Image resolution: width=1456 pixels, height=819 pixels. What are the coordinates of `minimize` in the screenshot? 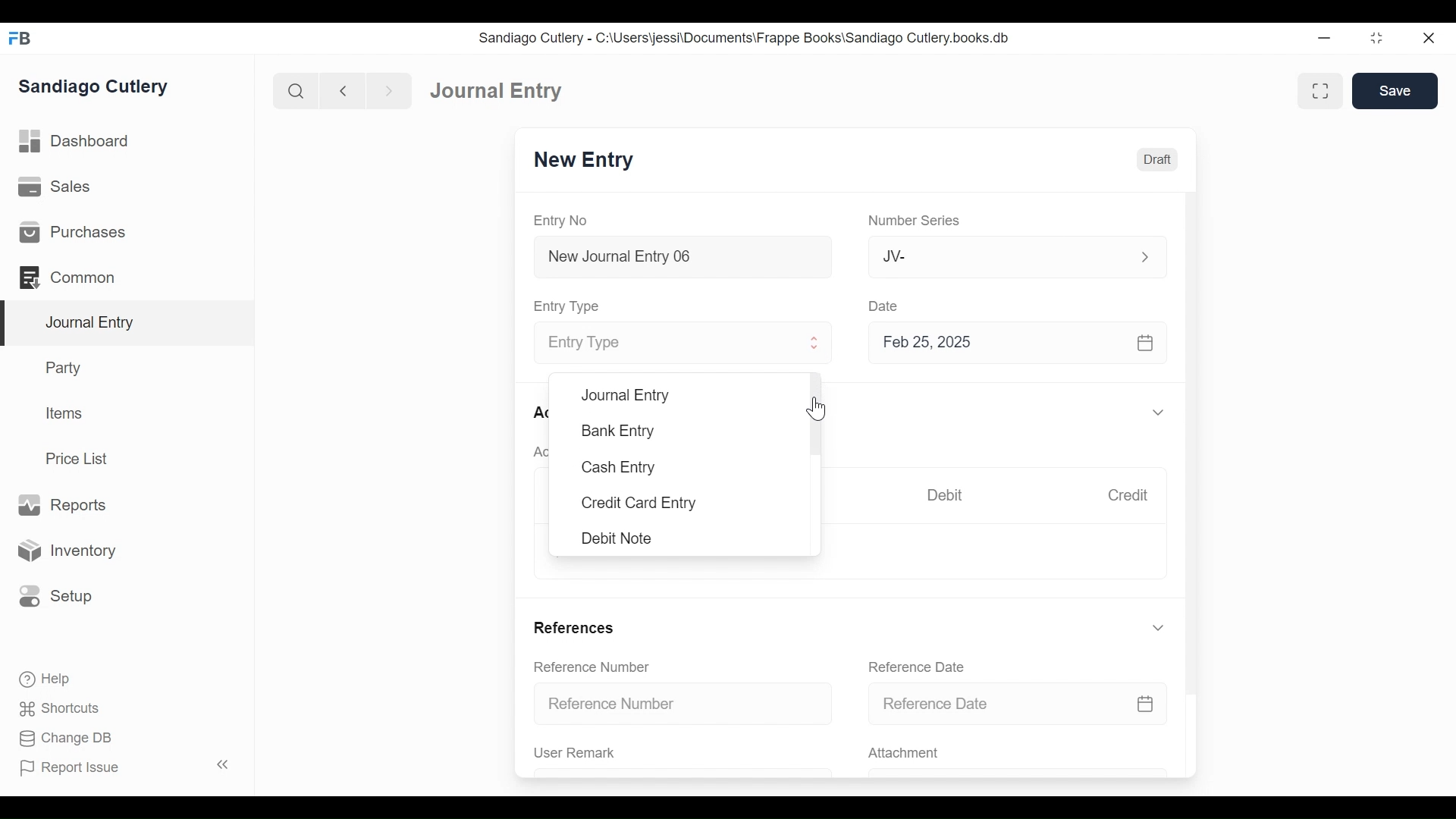 It's located at (1325, 37).